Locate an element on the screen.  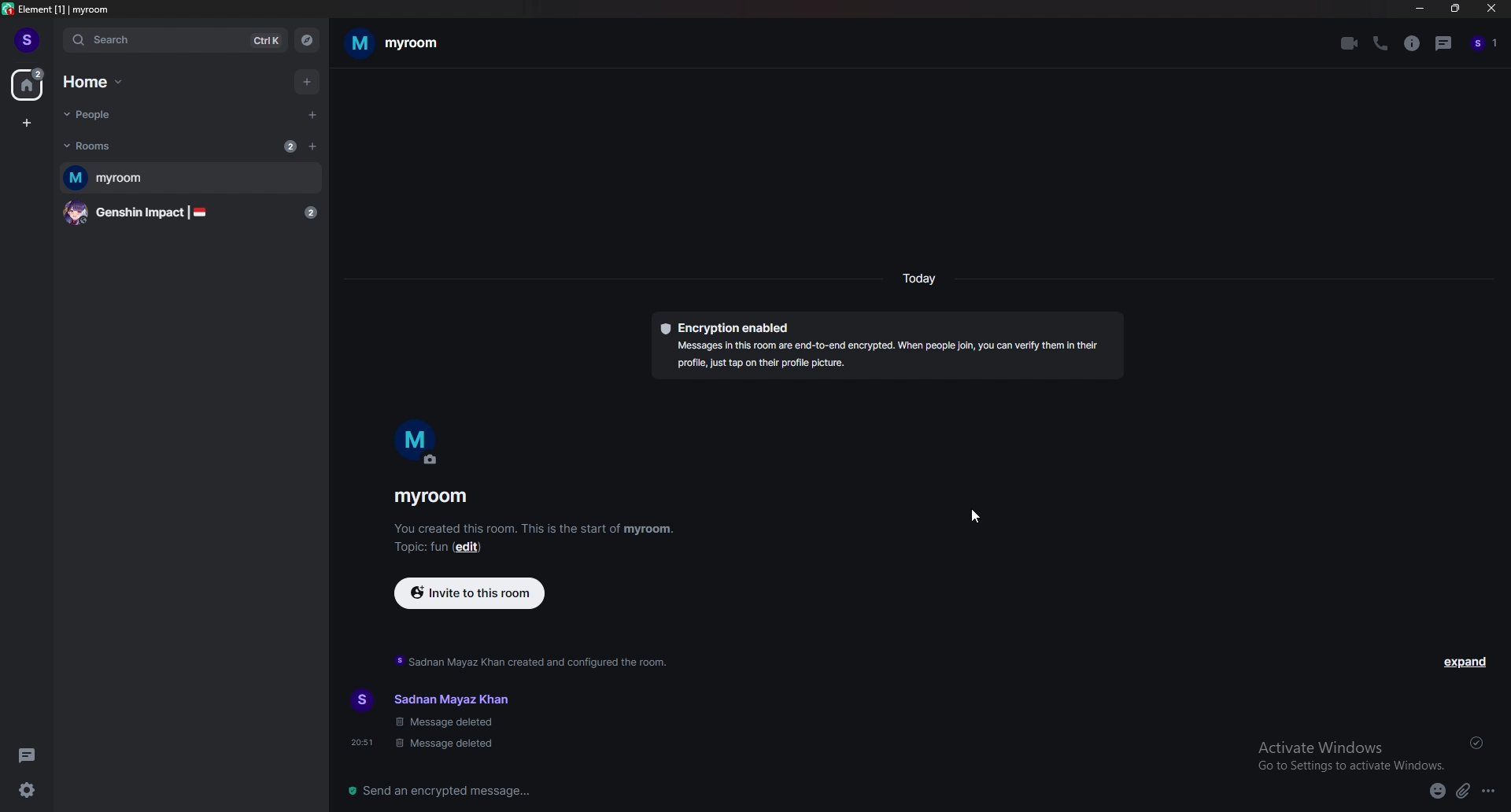
threads is located at coordinates (1445, 42).